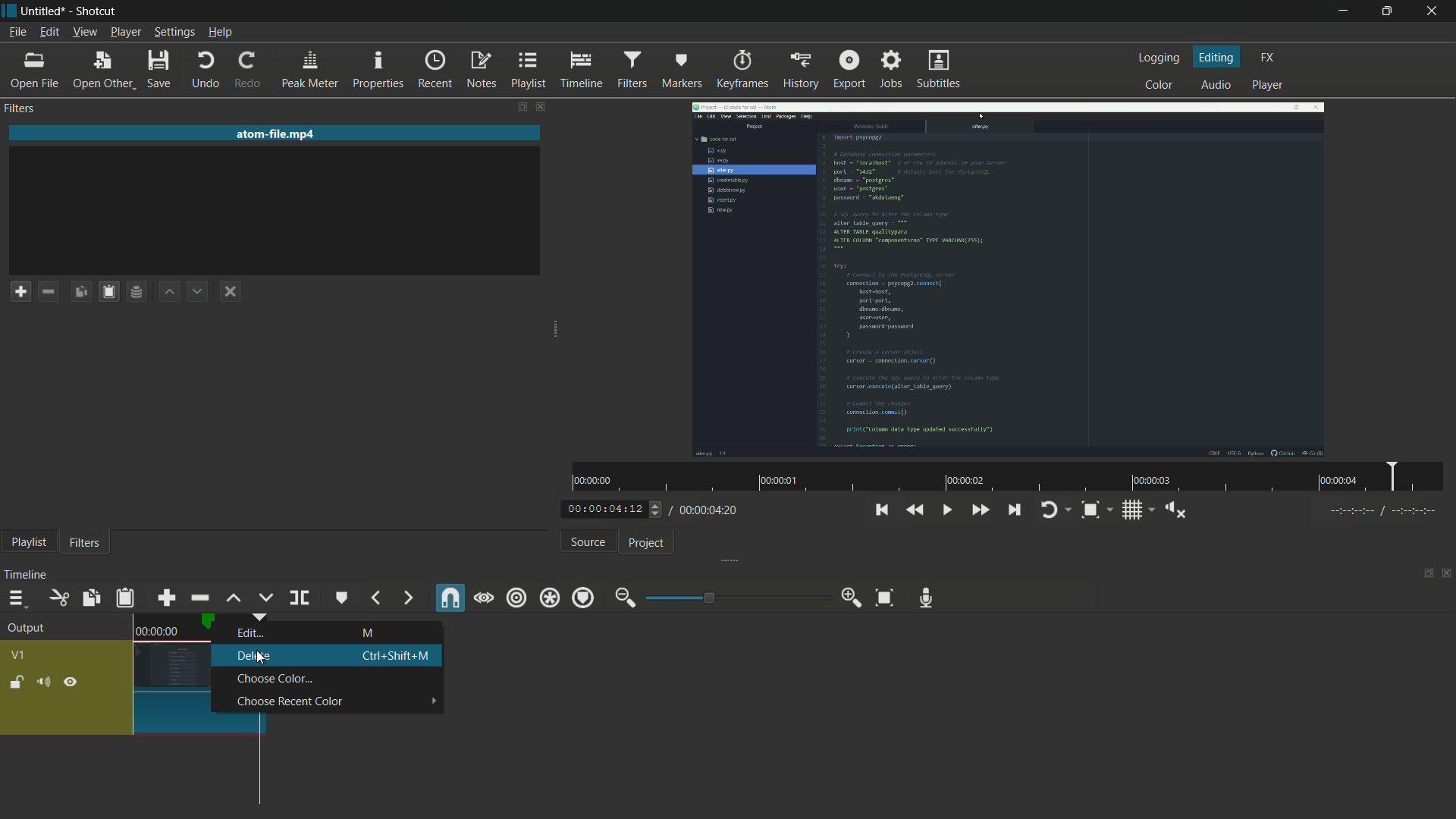 The height and width of the screenshot is (819, 1456). I want to click on ripple delete, so click(198, 598).